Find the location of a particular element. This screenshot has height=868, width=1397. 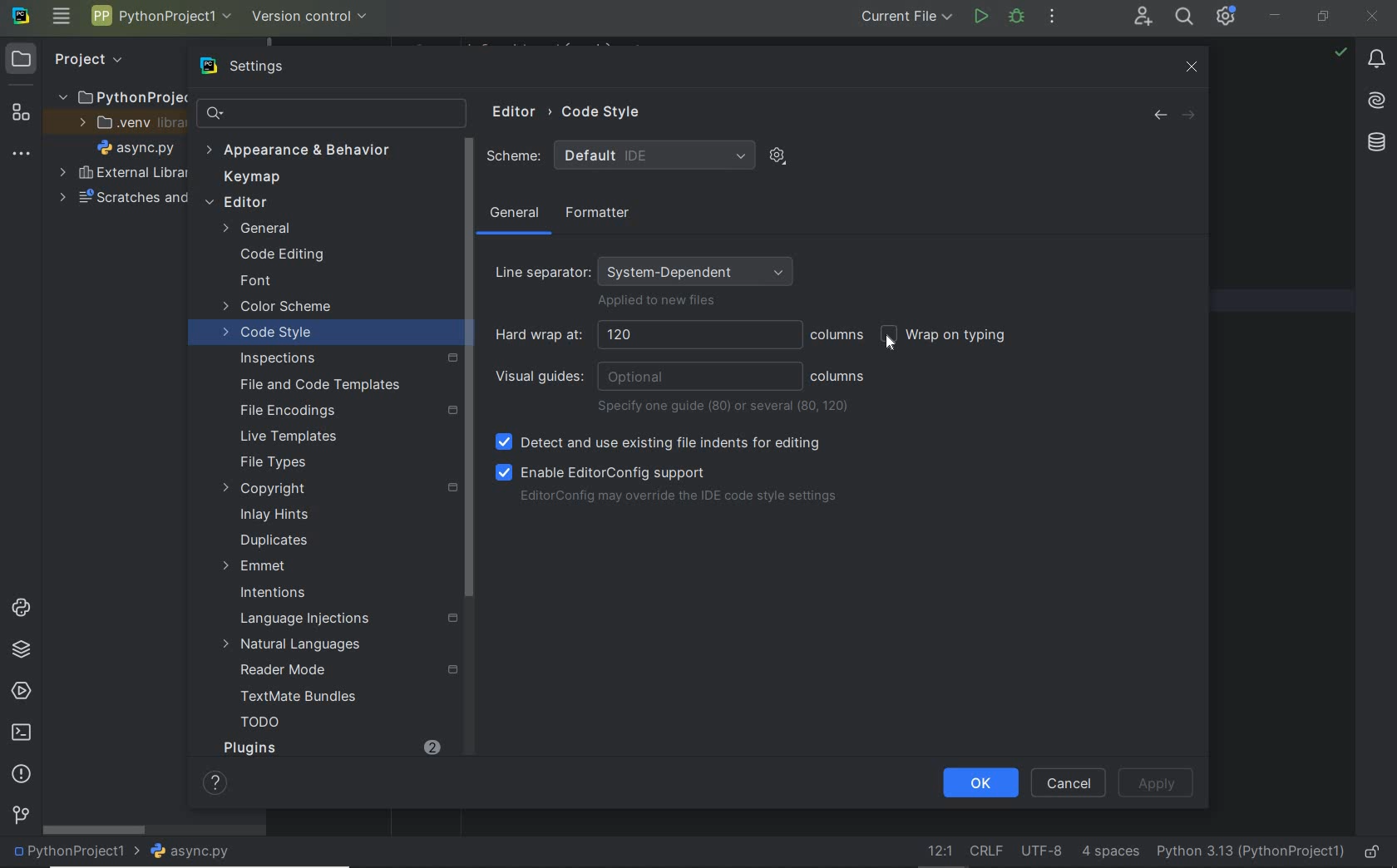

project name is located at coordinates (77, 852).